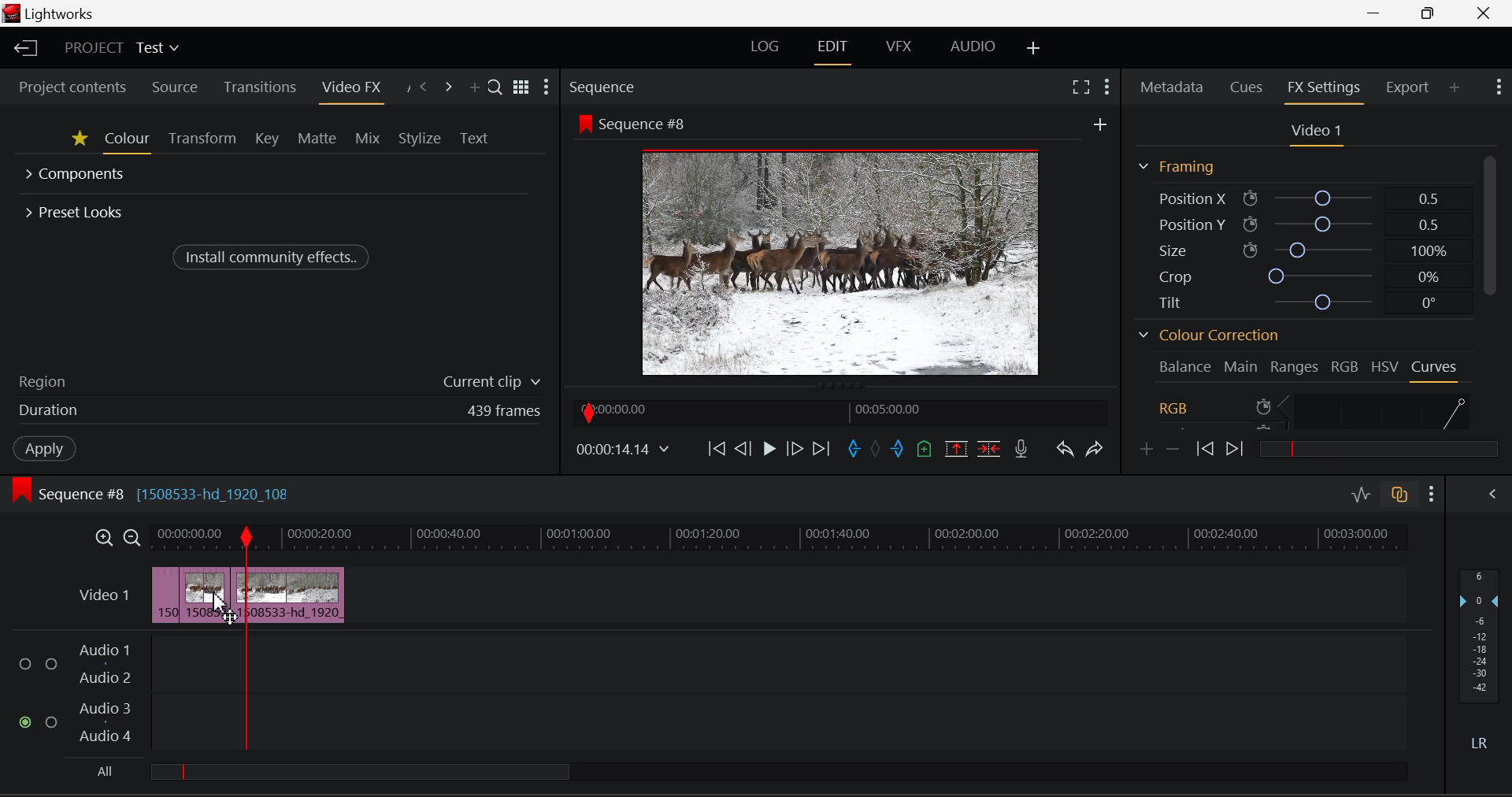  What do you see at coordinates (1295, 366) in the screenshot?
I see `Ranges` at bounding box center [1295, 366].